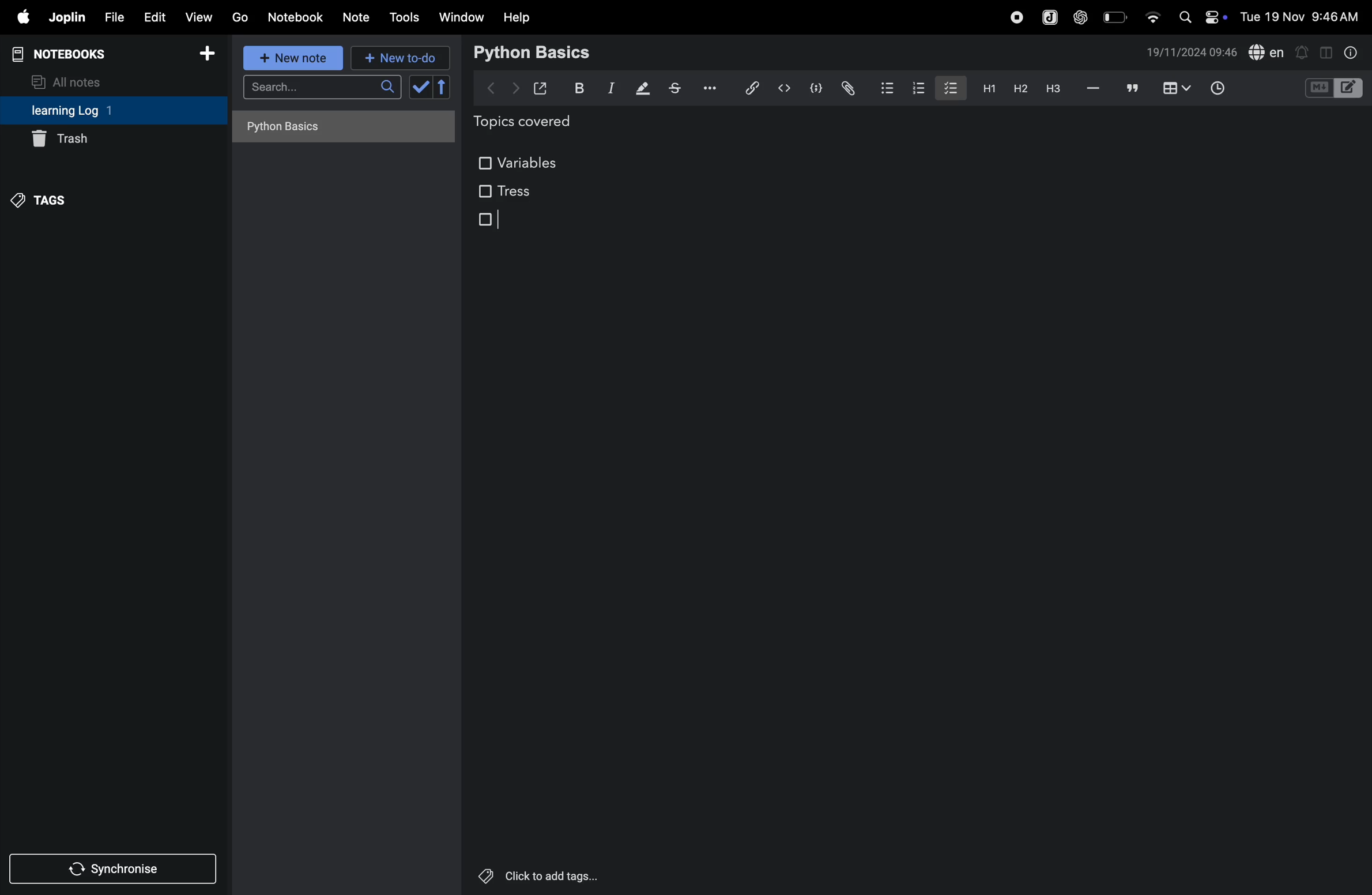  I want to click on toggle editor layout, so click(1327, 51).